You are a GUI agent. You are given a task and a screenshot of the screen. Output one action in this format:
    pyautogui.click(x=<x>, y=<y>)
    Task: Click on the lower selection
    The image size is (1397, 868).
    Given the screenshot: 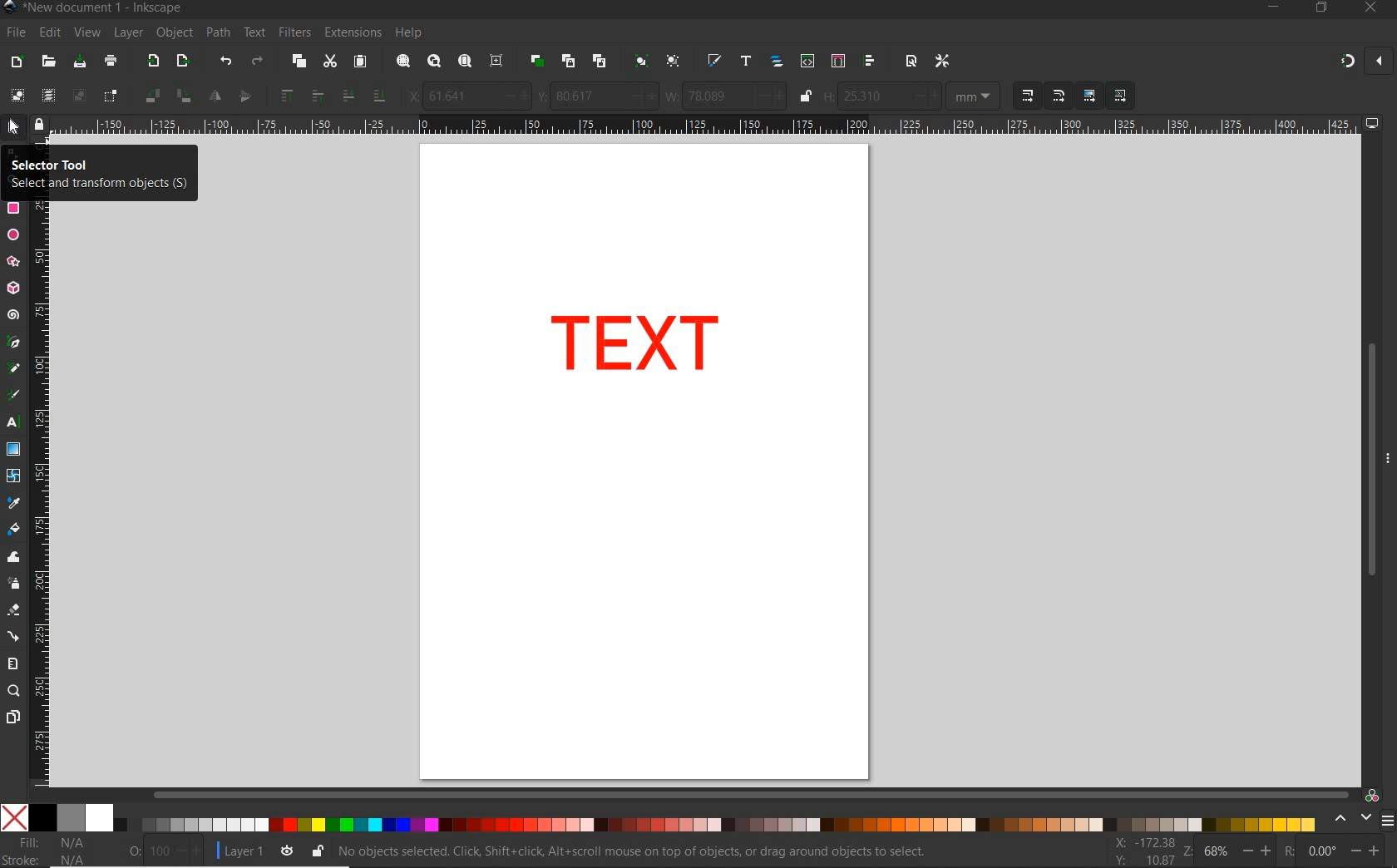 What is the action you would take?
    pyautogui.click(x=362, y=96)
    